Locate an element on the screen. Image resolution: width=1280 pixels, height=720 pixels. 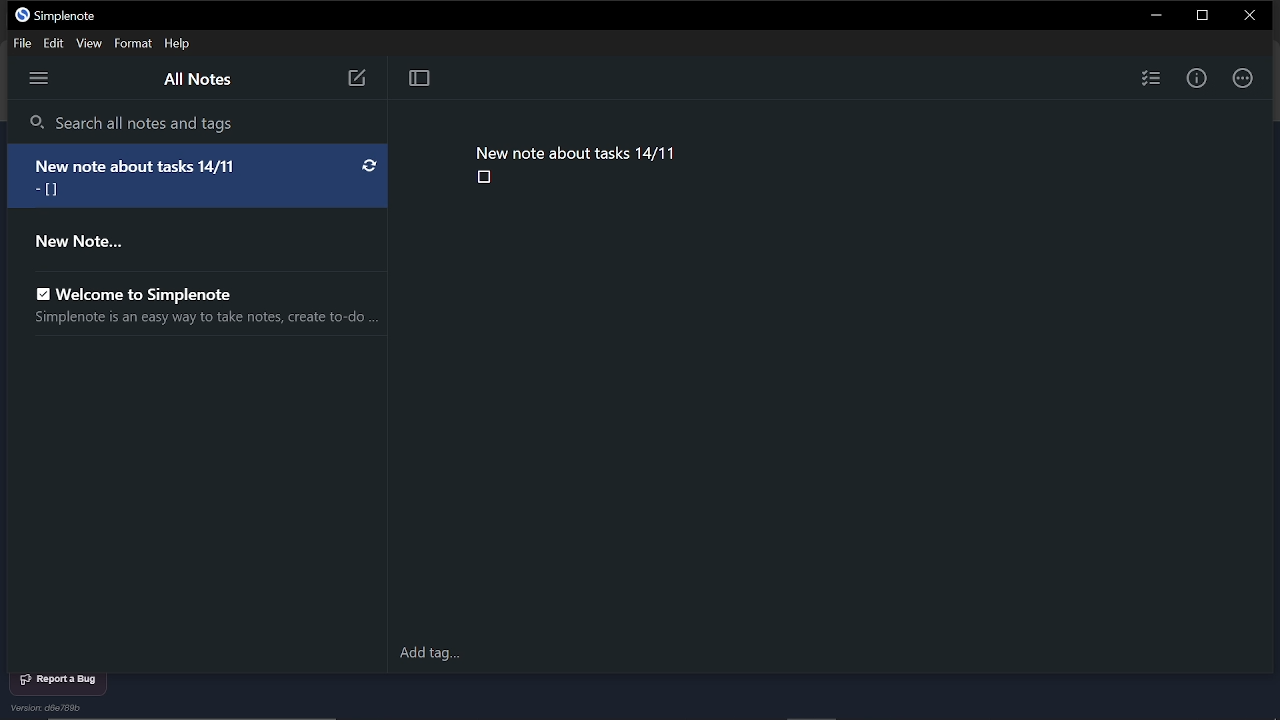
New note about tasks 14/11
~[ is located at coordinates (200, 175).